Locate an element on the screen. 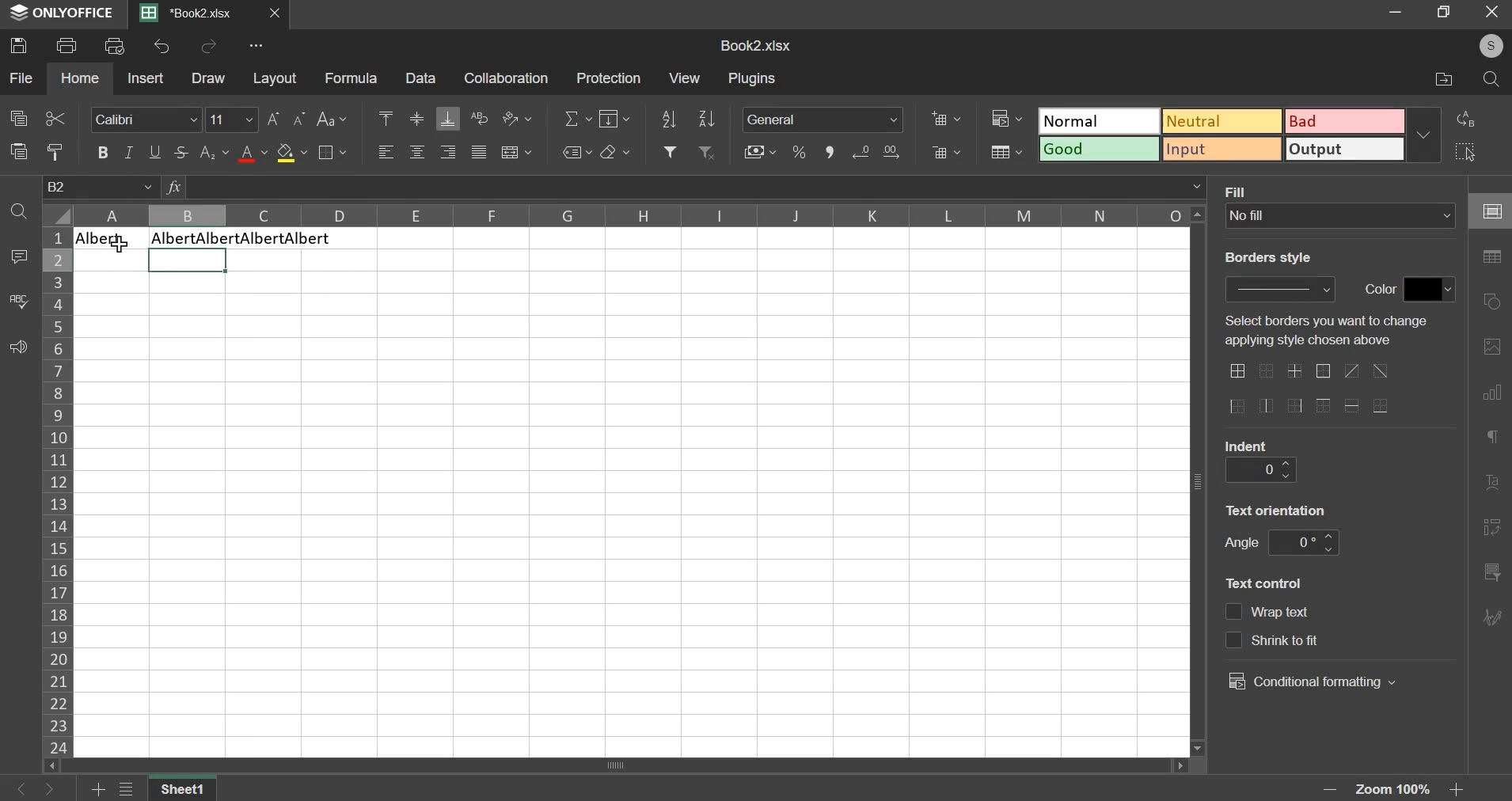 Image resolution: width=1512 pixels, height=801 pixels. function is located at coordinates (173, 186).